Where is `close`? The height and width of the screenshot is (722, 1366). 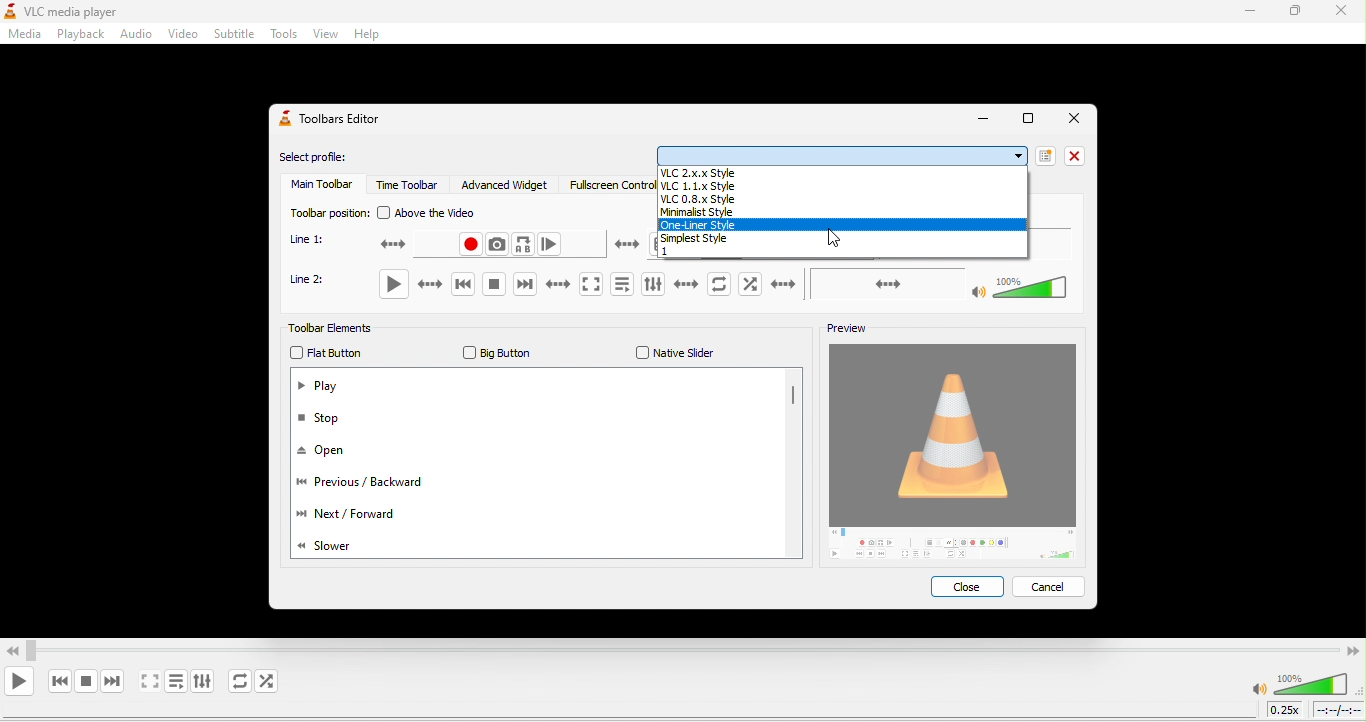
close is located at coordinates (1080, 155).